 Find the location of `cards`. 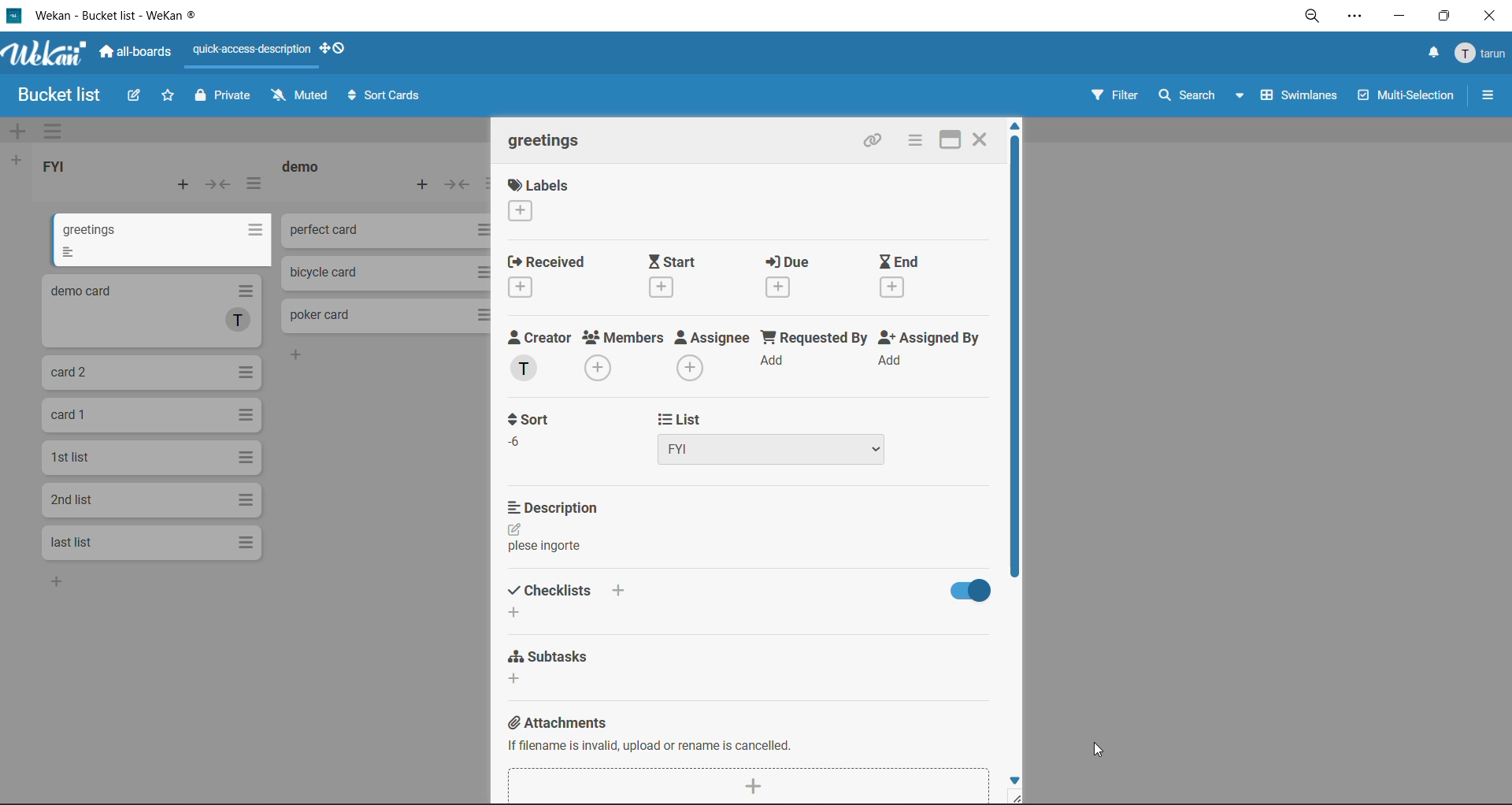

cards is located at coordinates (163, 239).